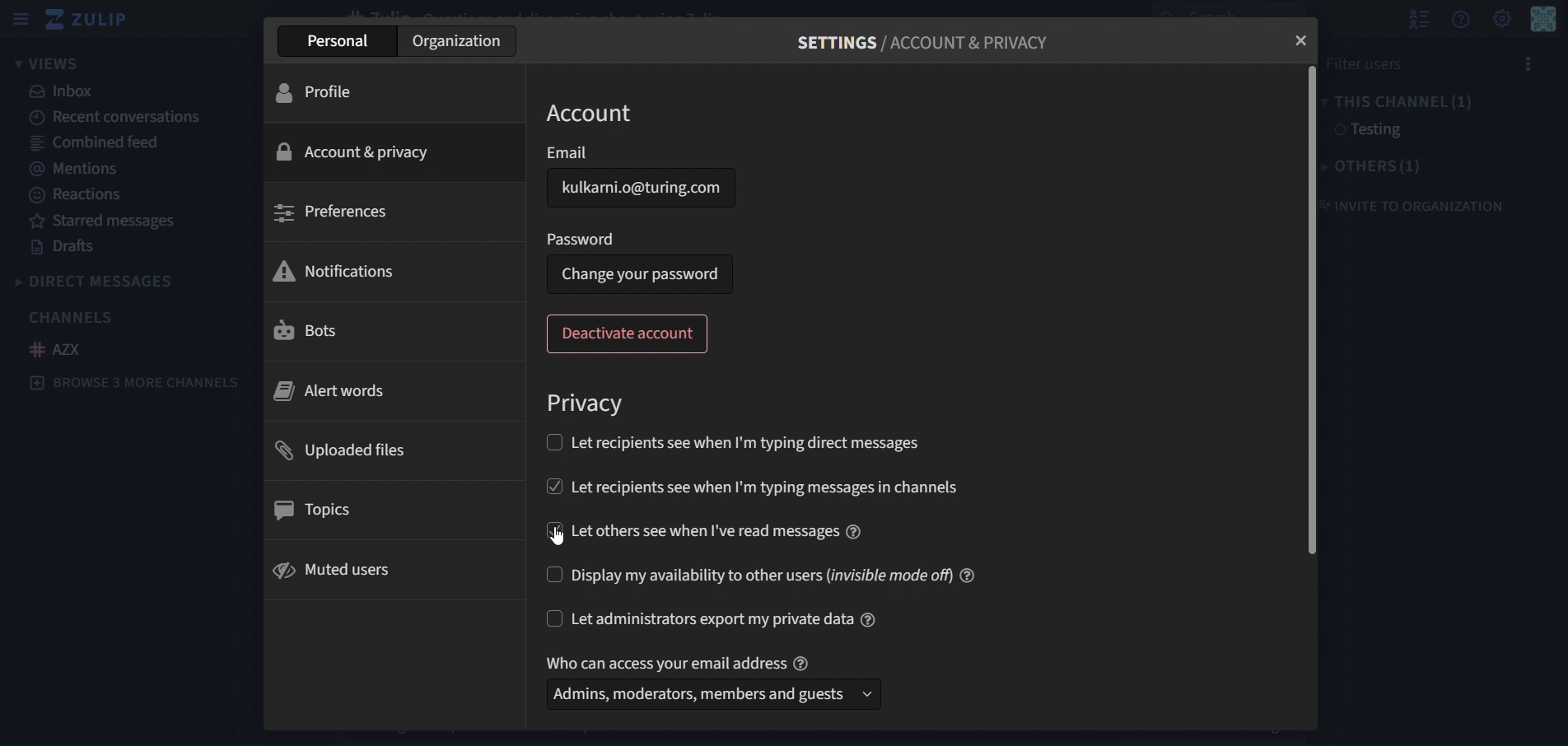 The height and width of the screenshot is (746, 1568). I want to click on main menu, so click(1501, 19).